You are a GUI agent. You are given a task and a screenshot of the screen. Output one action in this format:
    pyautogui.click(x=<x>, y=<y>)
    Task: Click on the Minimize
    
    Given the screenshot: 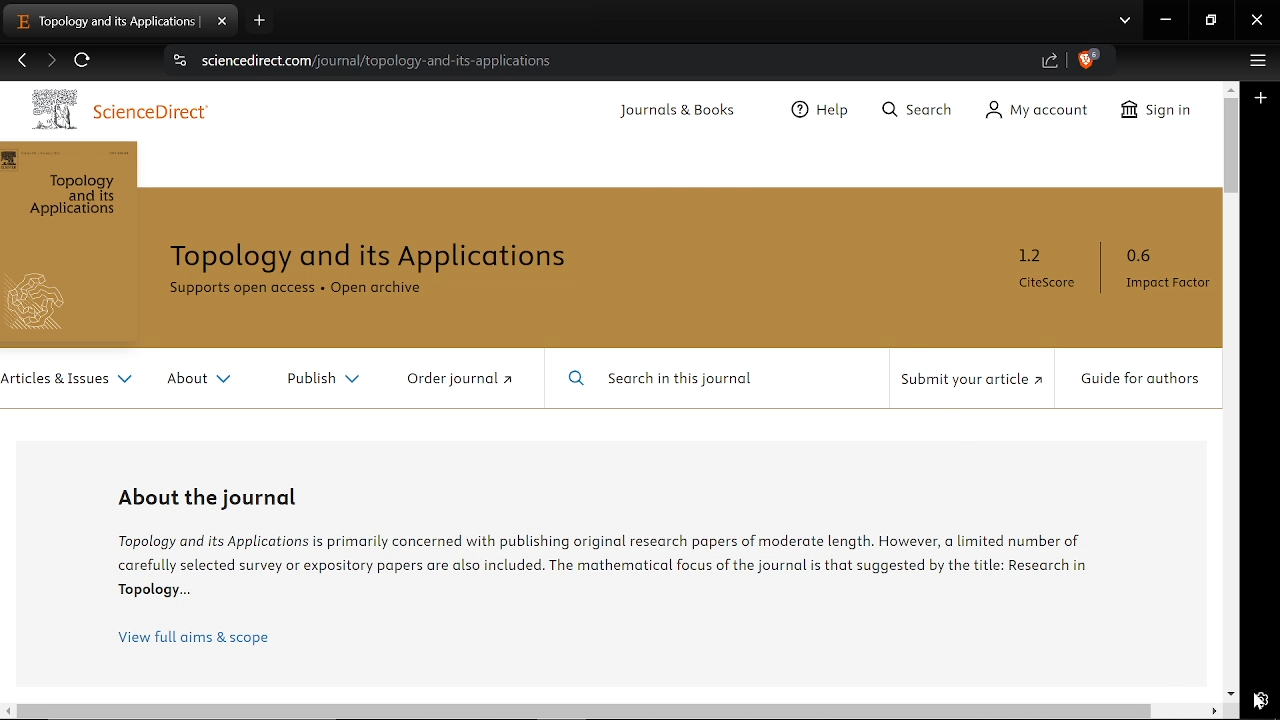 What is the action you would take?
    pyautogui.click(x=1166, y=22)
    